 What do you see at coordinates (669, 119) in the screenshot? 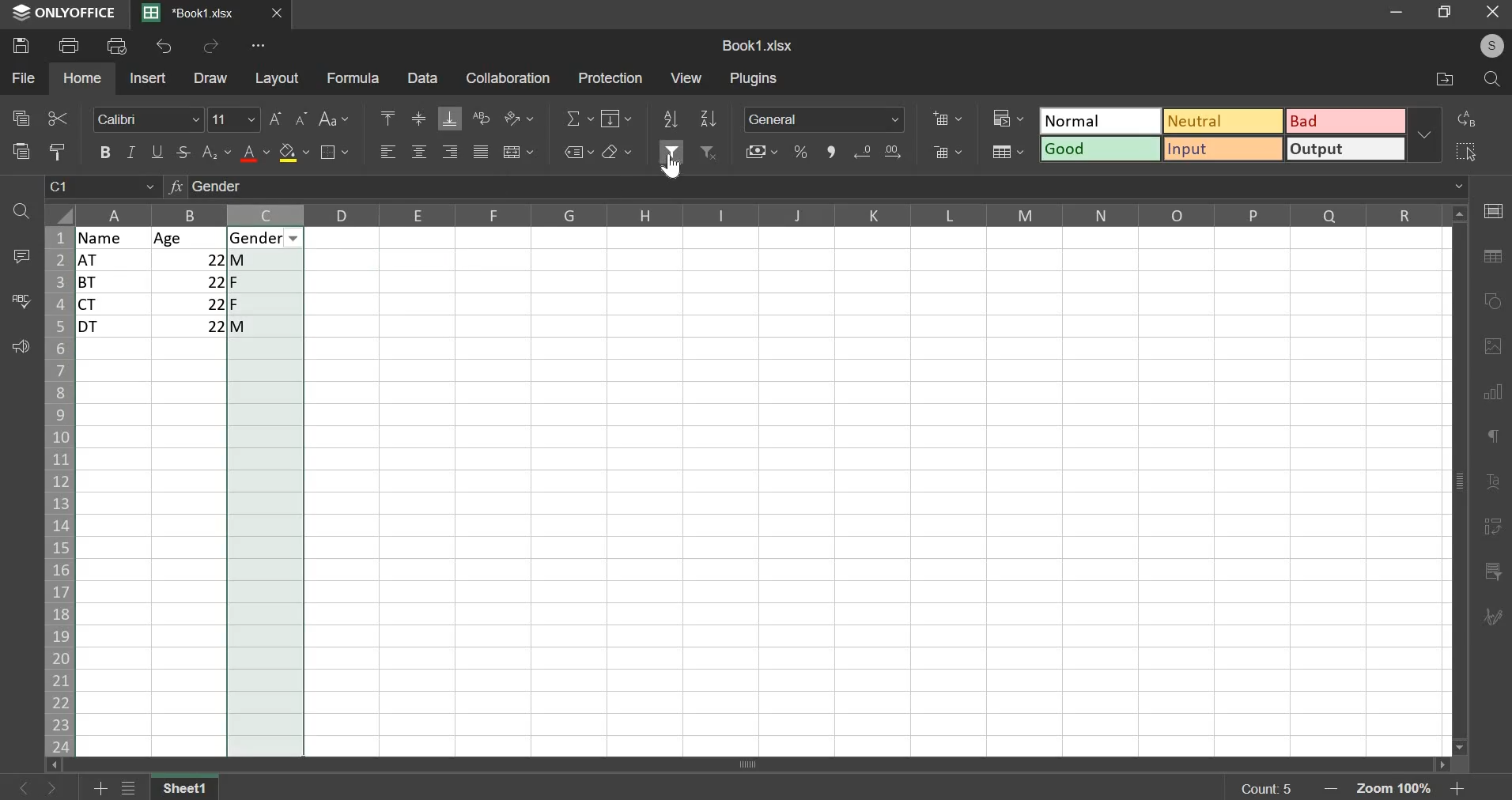
I see `sort` at bounding box center [669, 119].